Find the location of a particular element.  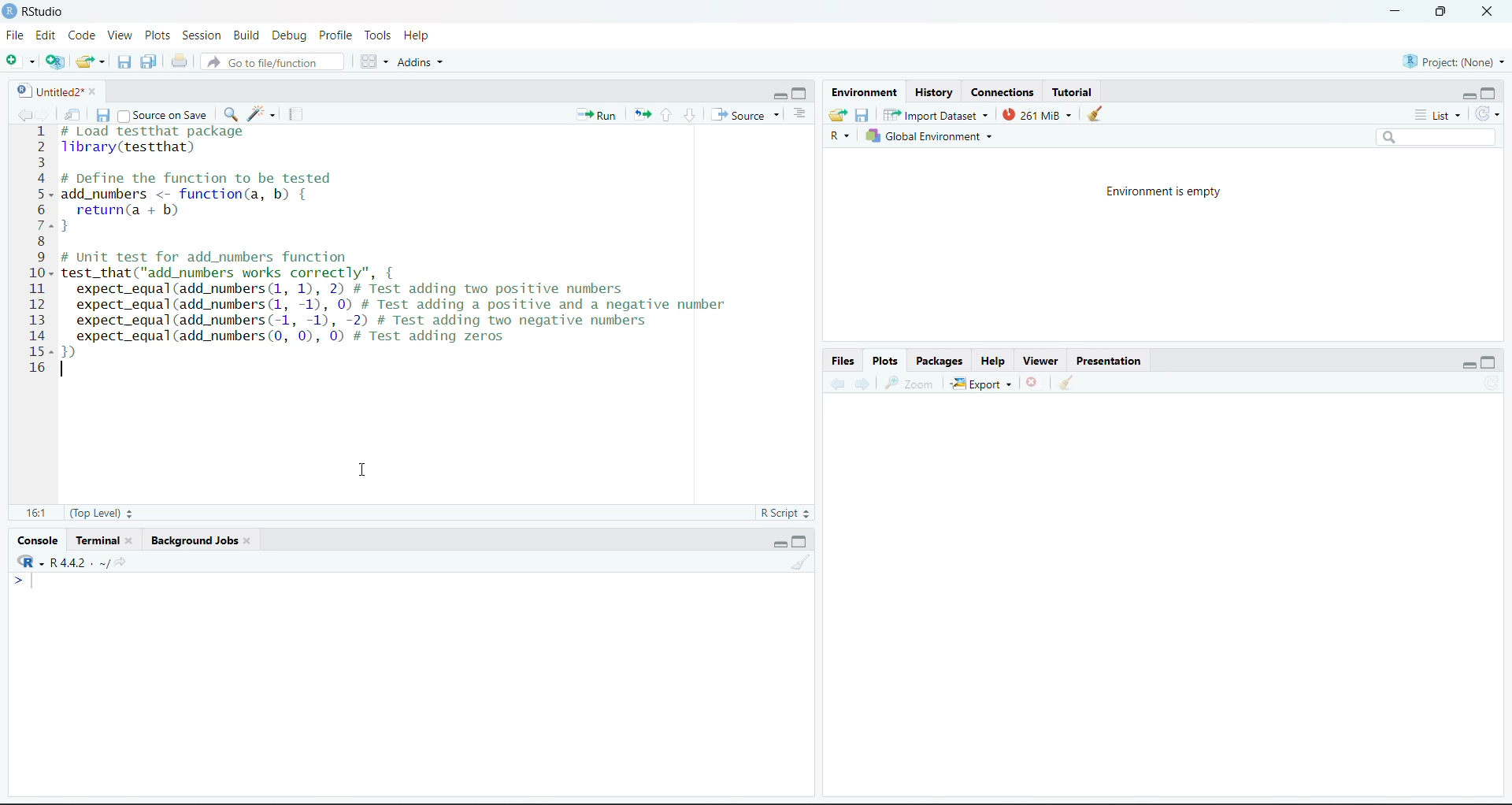

Help is located at coordinates (989, 361).